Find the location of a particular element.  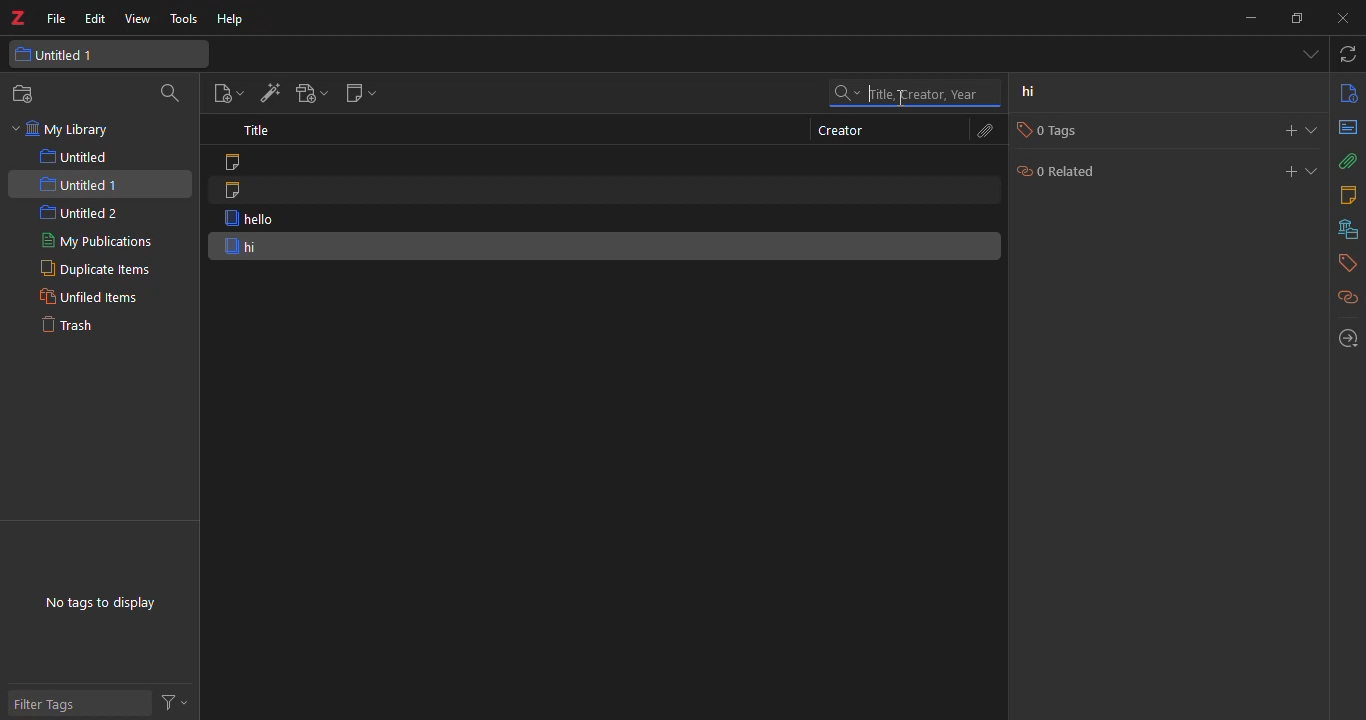

expand is located at coordinates (1311, 170).